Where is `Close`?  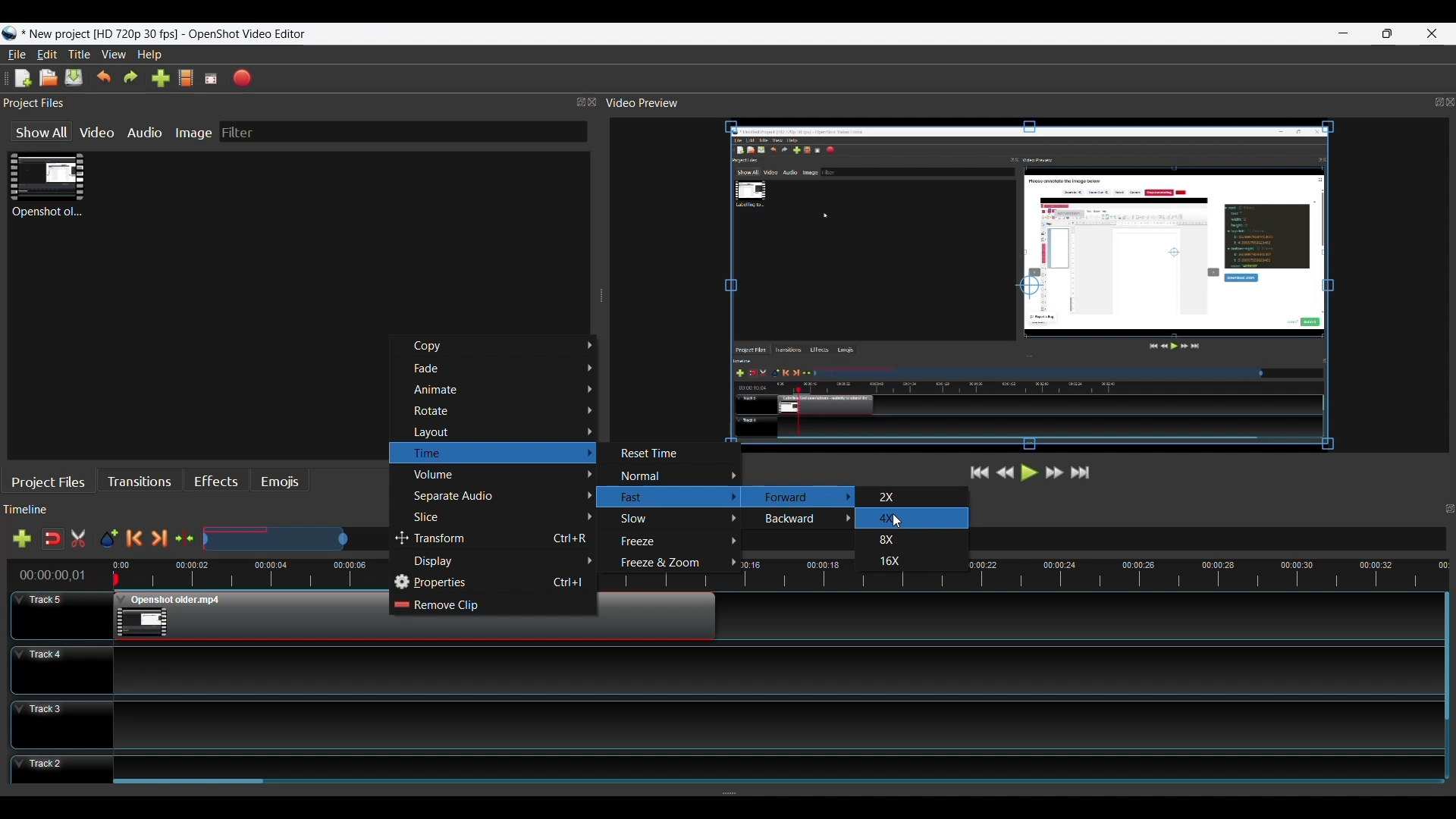 Close is located at coordinates (1432, 33).